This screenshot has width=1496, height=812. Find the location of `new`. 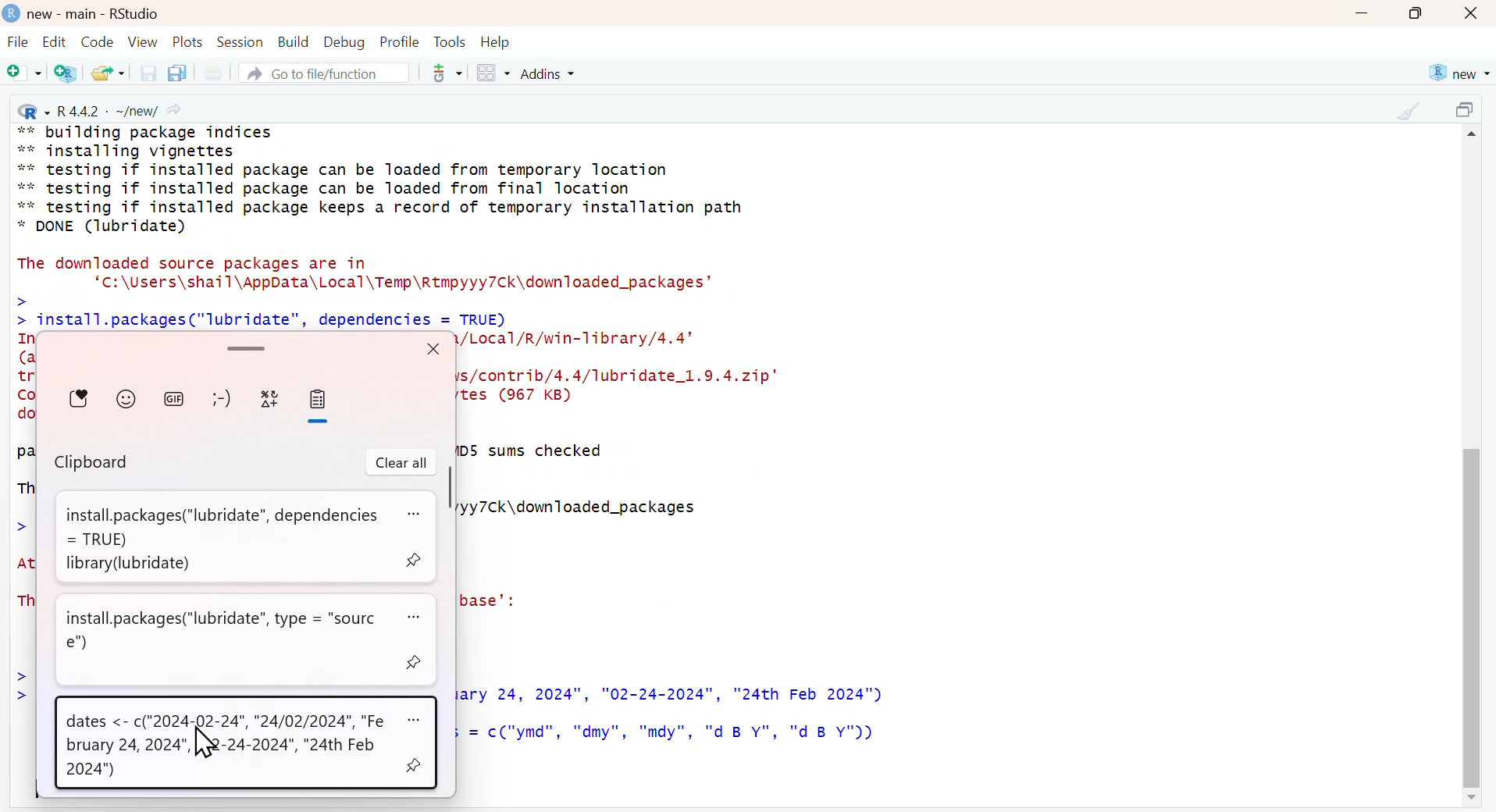

new is located at coordinates (1458, 73).